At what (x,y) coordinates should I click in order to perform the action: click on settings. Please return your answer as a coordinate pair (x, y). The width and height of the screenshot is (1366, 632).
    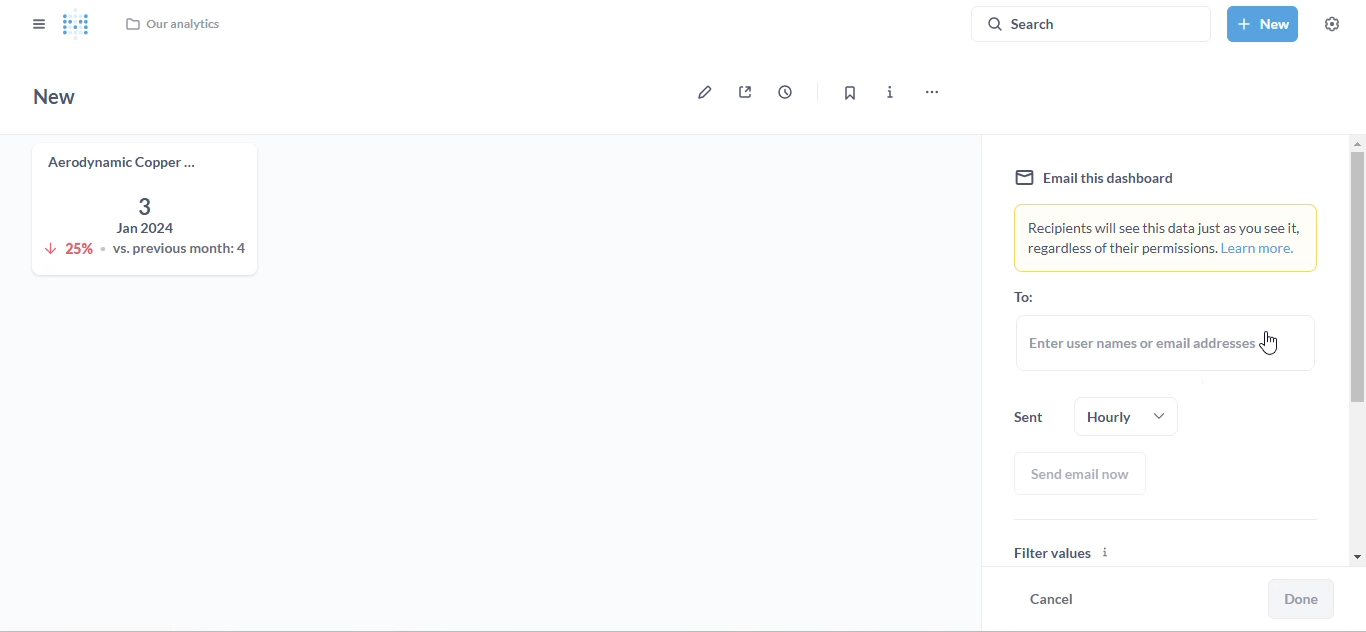
    Looking at the image, I should click on (1332, 24).